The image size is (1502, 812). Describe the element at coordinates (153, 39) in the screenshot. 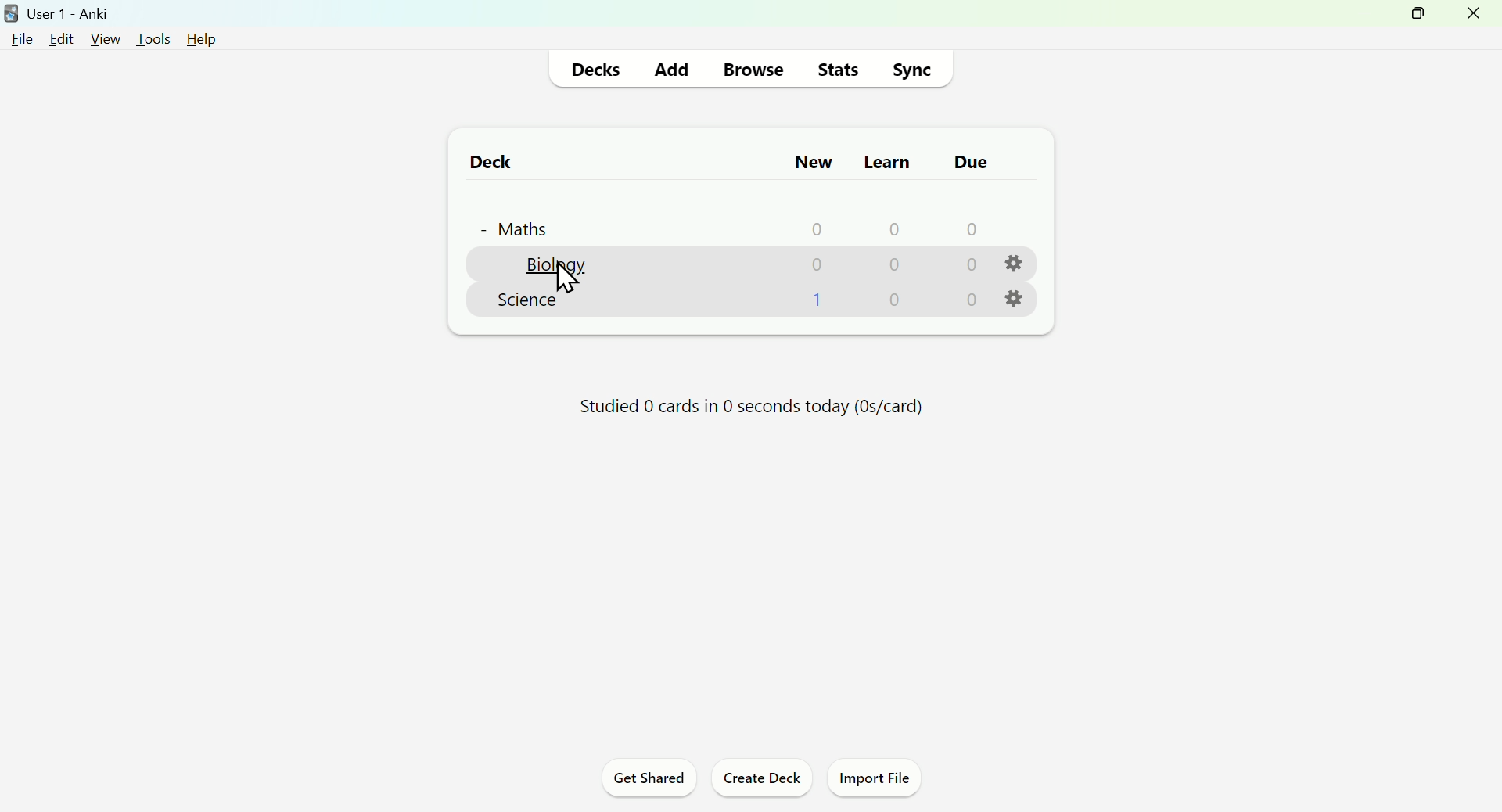

I see `tools` at that location.